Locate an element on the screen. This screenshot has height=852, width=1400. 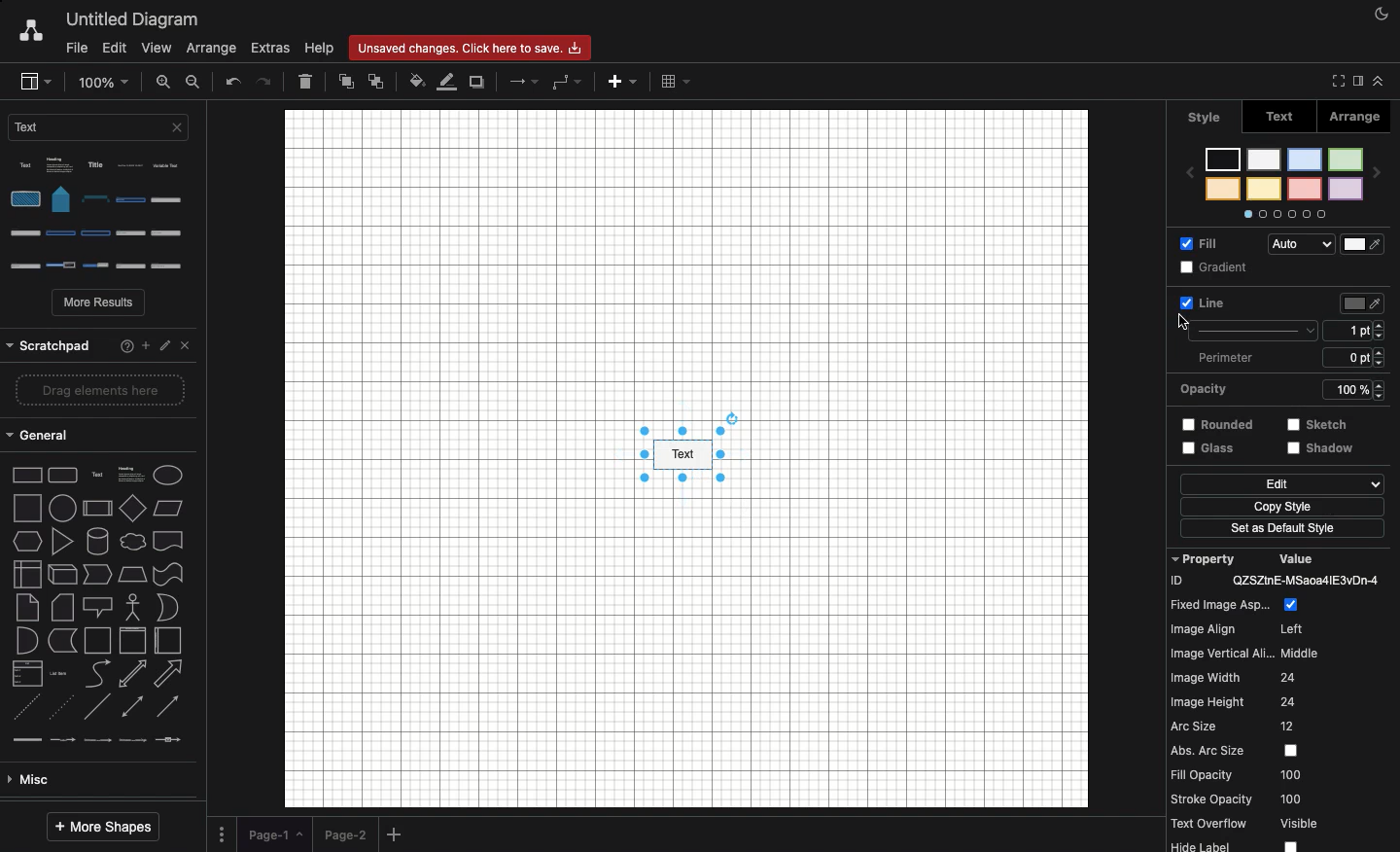
Add is located at coordinates (397, 835).